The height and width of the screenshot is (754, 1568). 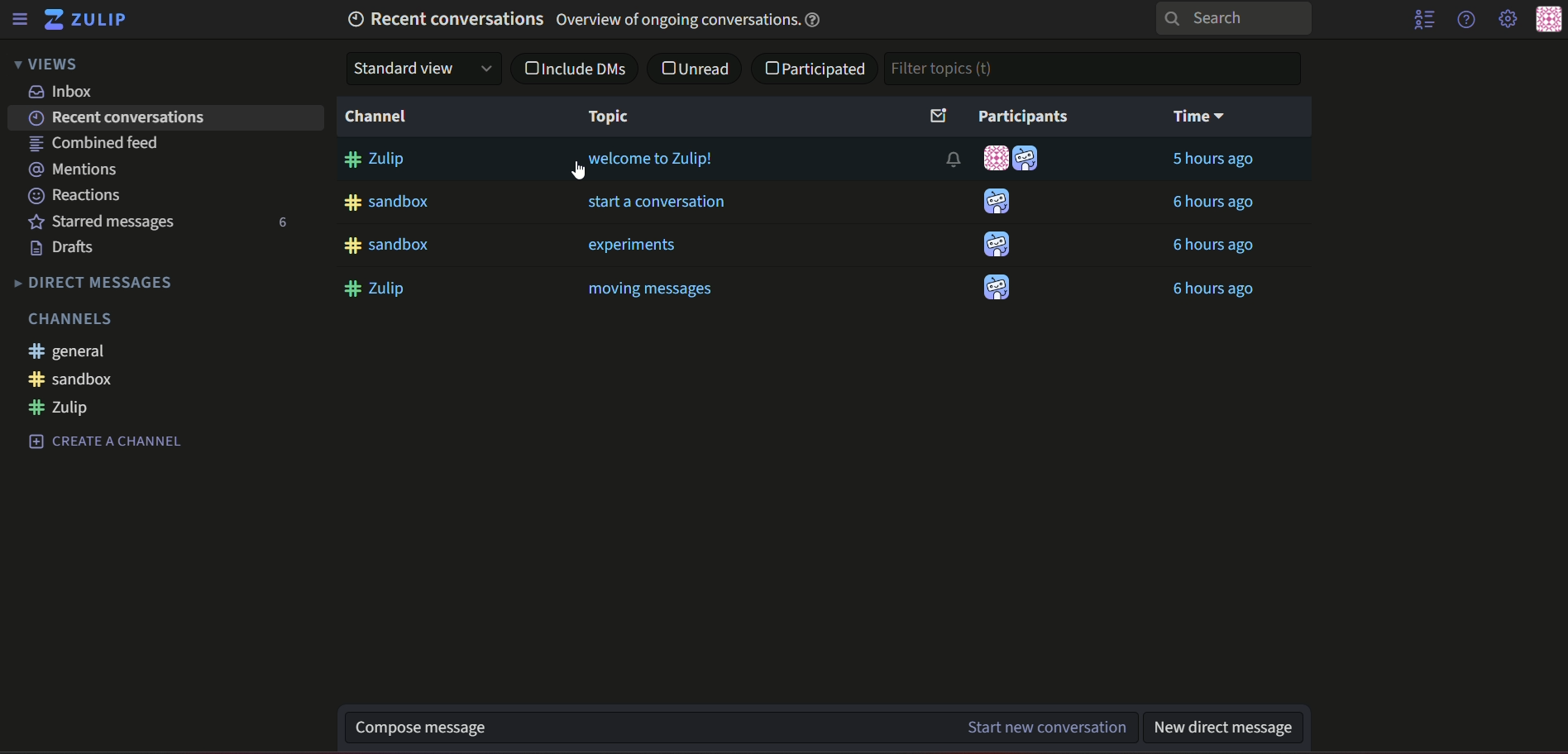 I want to click on #zulip, so click(x=64, y=408).